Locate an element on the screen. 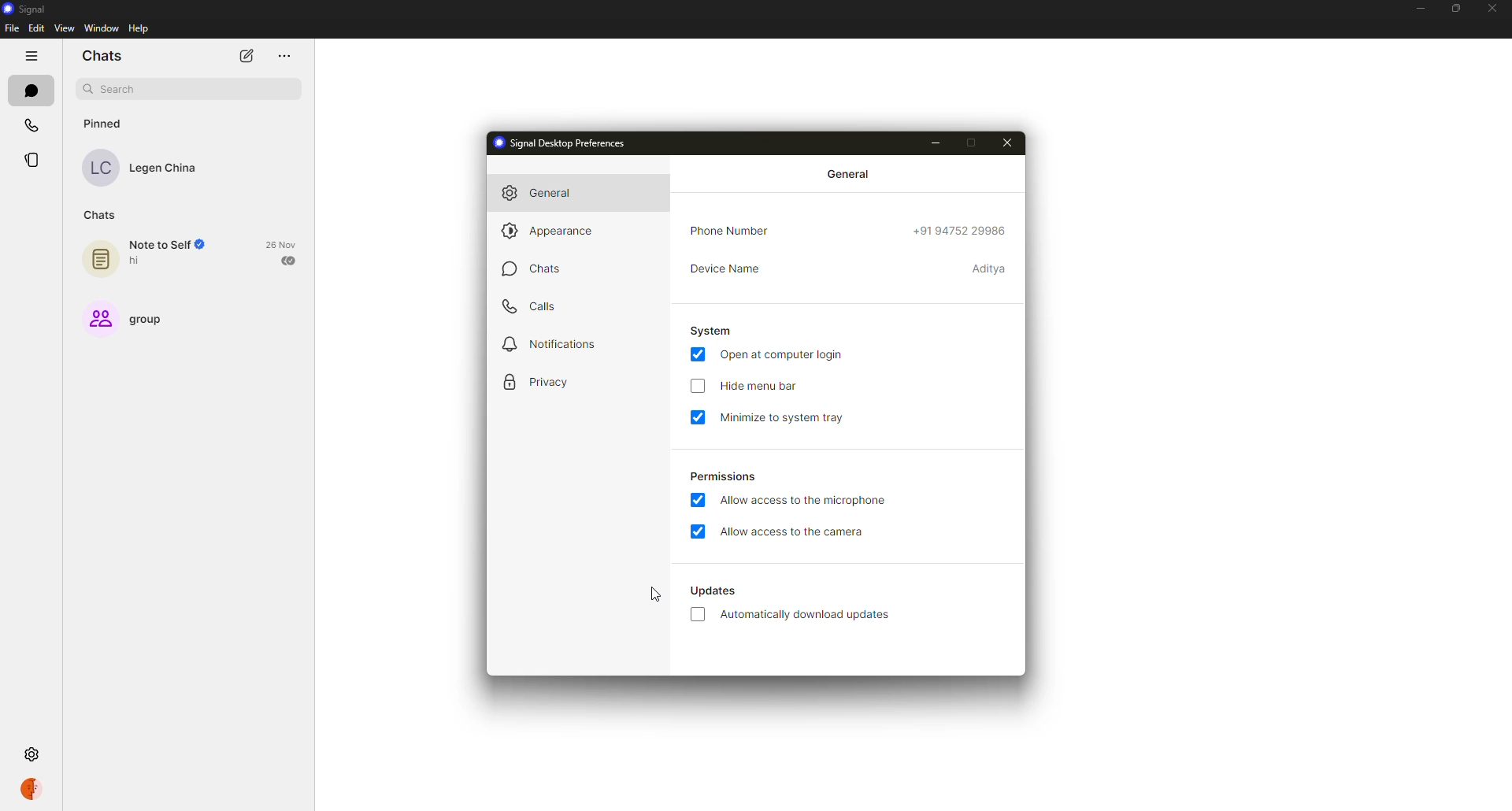 The image size is (1512, 811). file is located at coordinates (12, 28).